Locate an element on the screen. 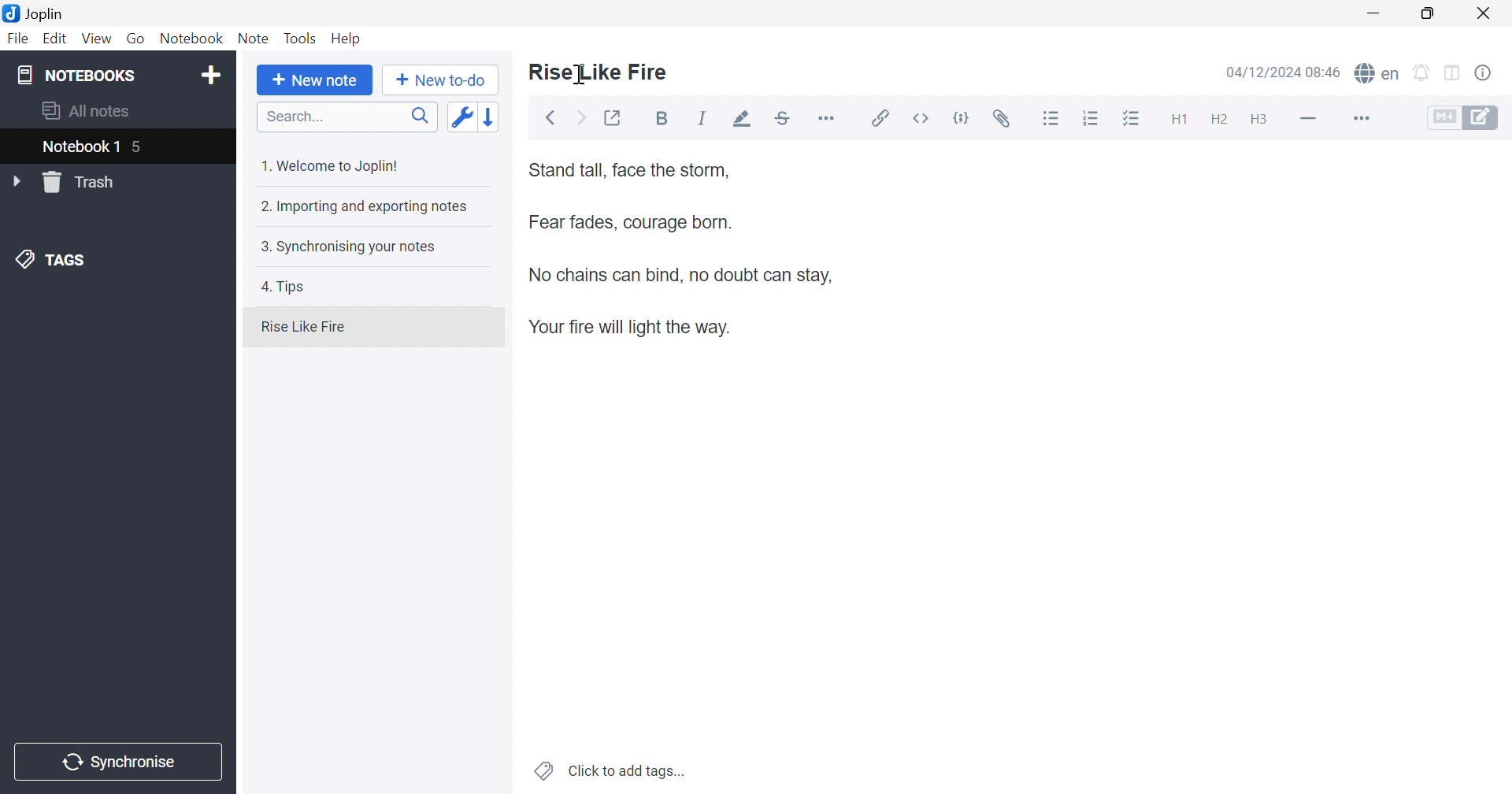 This screenshot has width=1512, height=794. Code is located at coordinates (960, 120).